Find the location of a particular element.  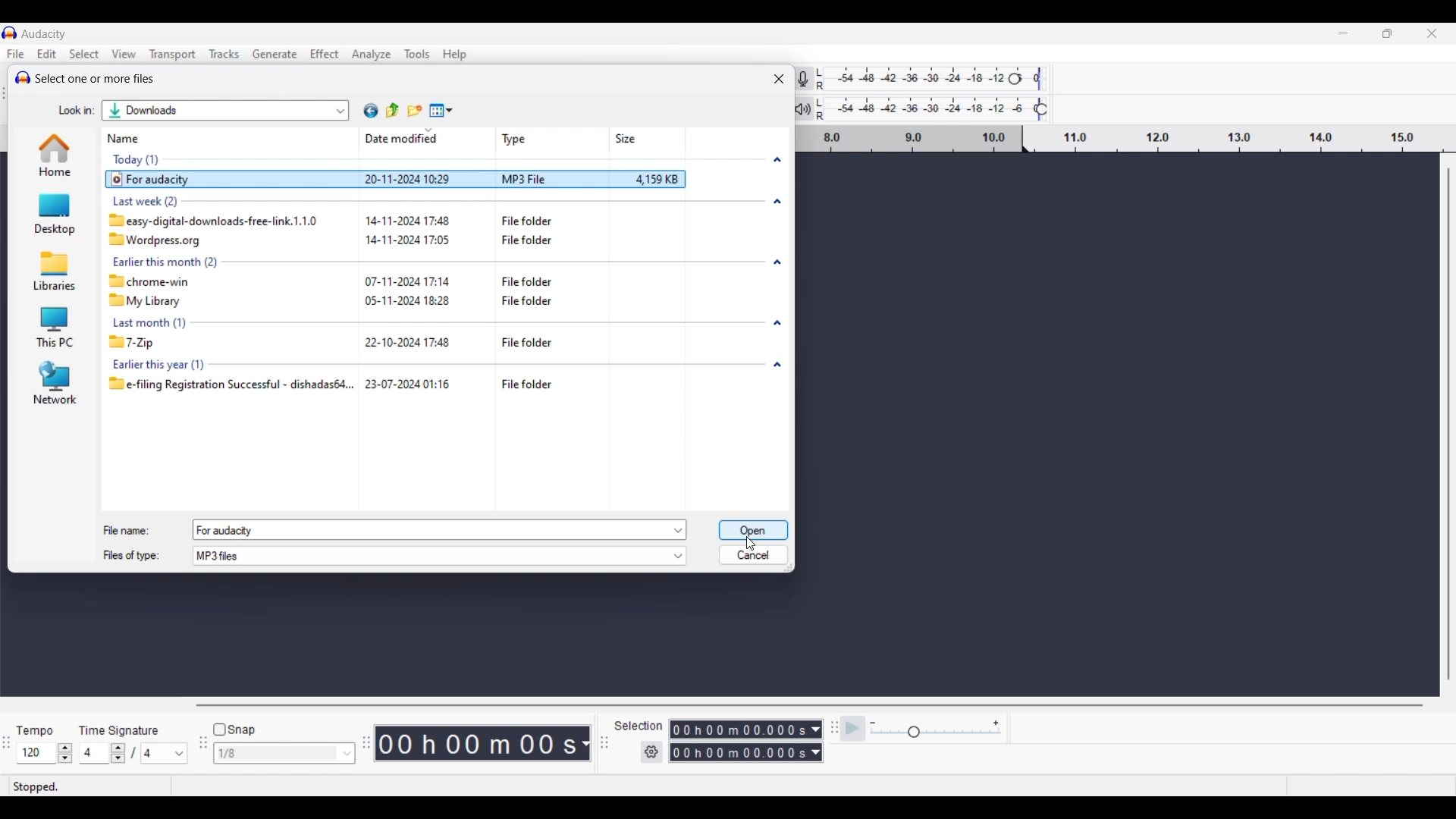

Tools menu is located at coordinates (418, 55).